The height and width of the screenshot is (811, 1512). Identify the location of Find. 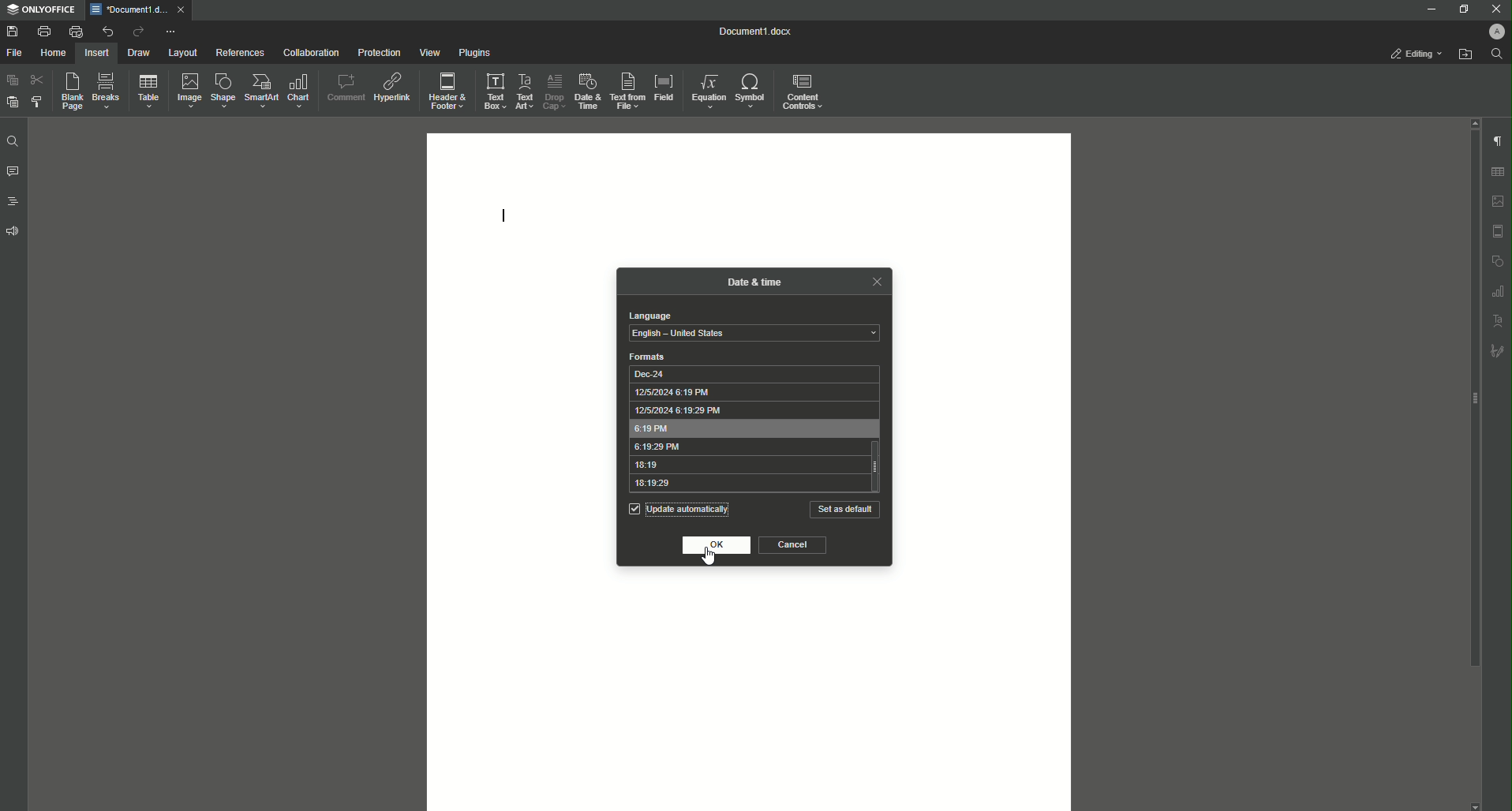
(1496, 54).